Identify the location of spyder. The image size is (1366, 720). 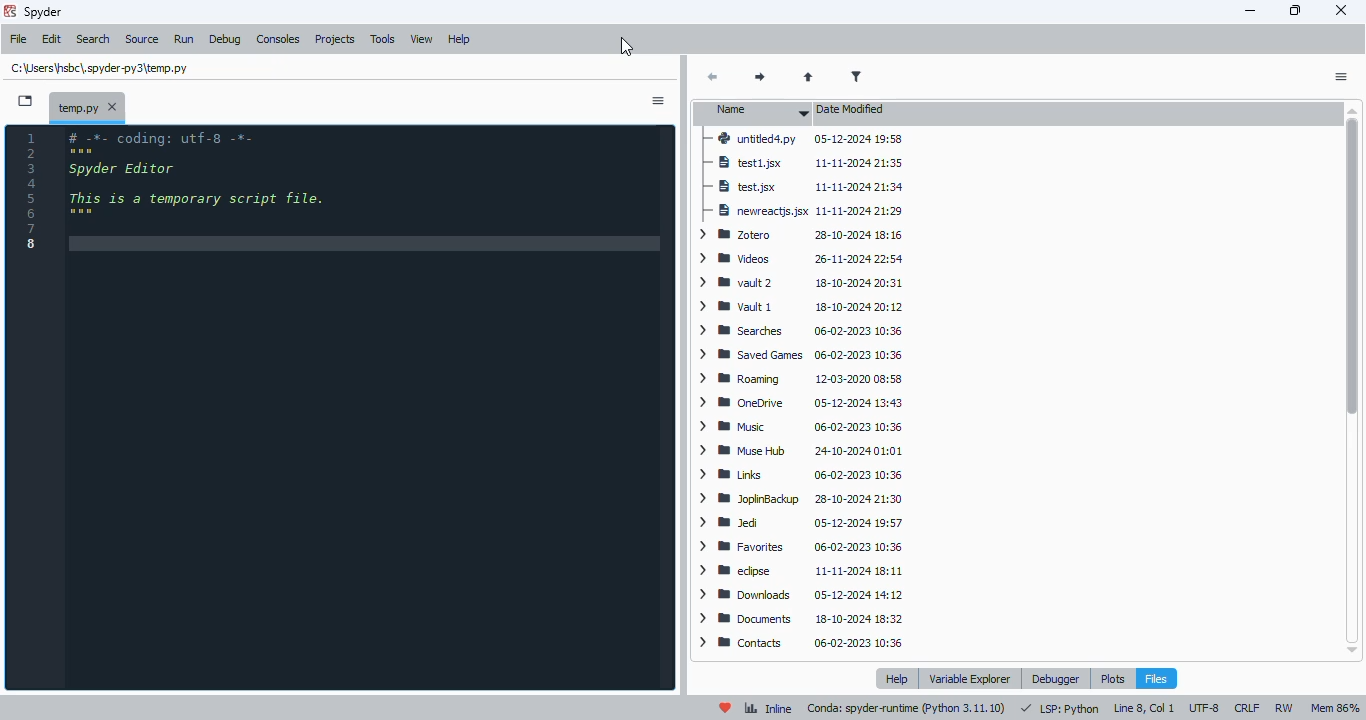
(44, 12).